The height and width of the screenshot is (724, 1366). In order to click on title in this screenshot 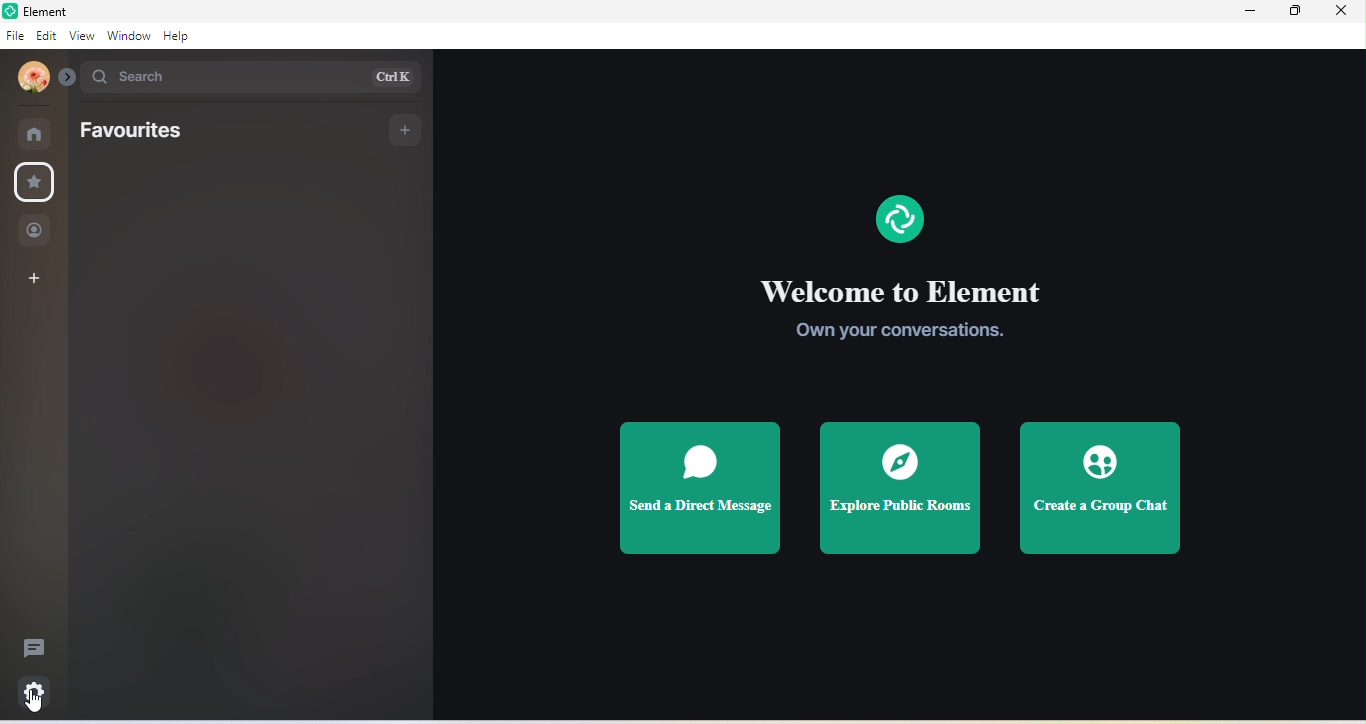, I will do `click(51, 11)`.